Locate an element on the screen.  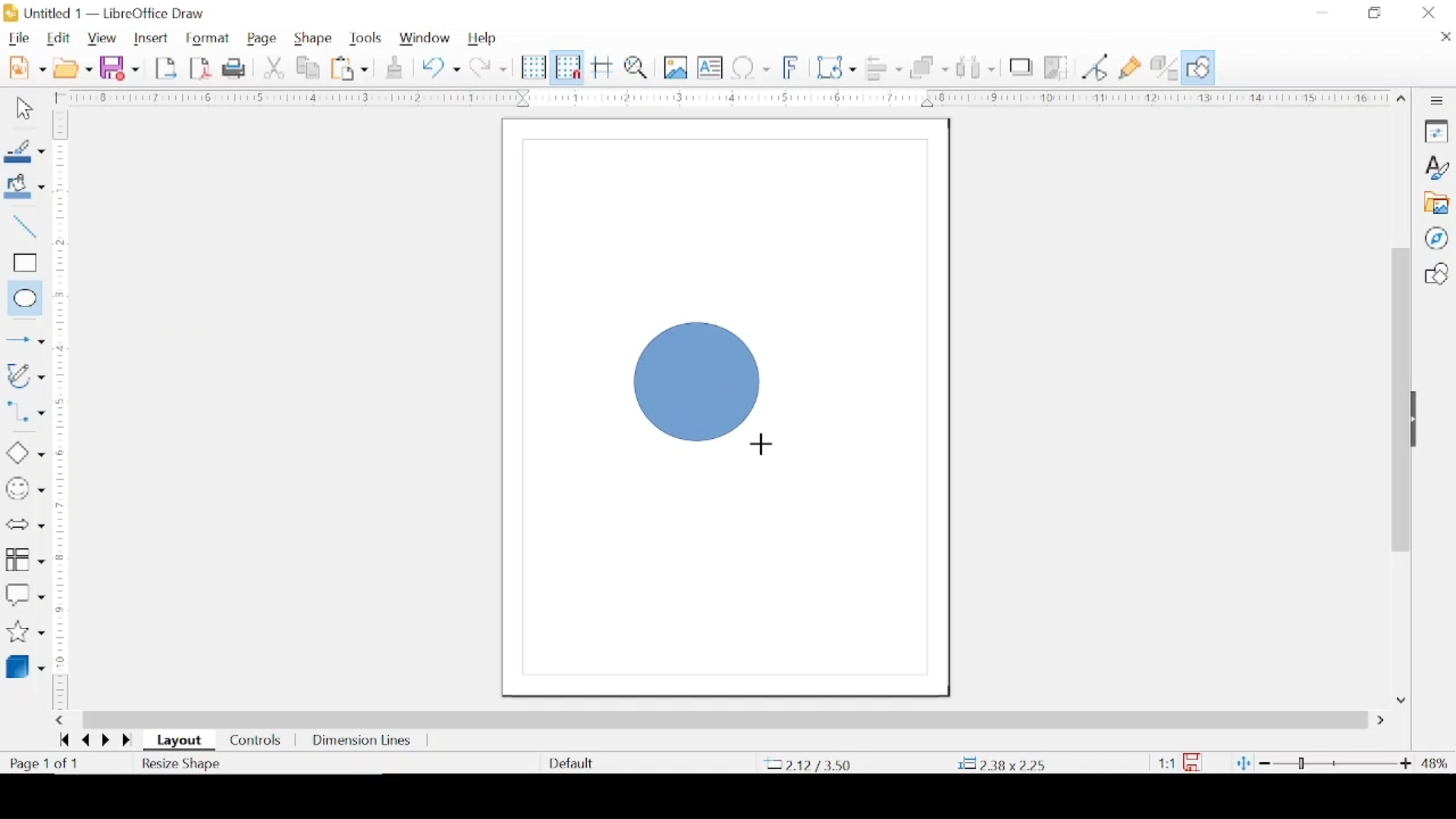
deafult is located at coordinates (569, 764).